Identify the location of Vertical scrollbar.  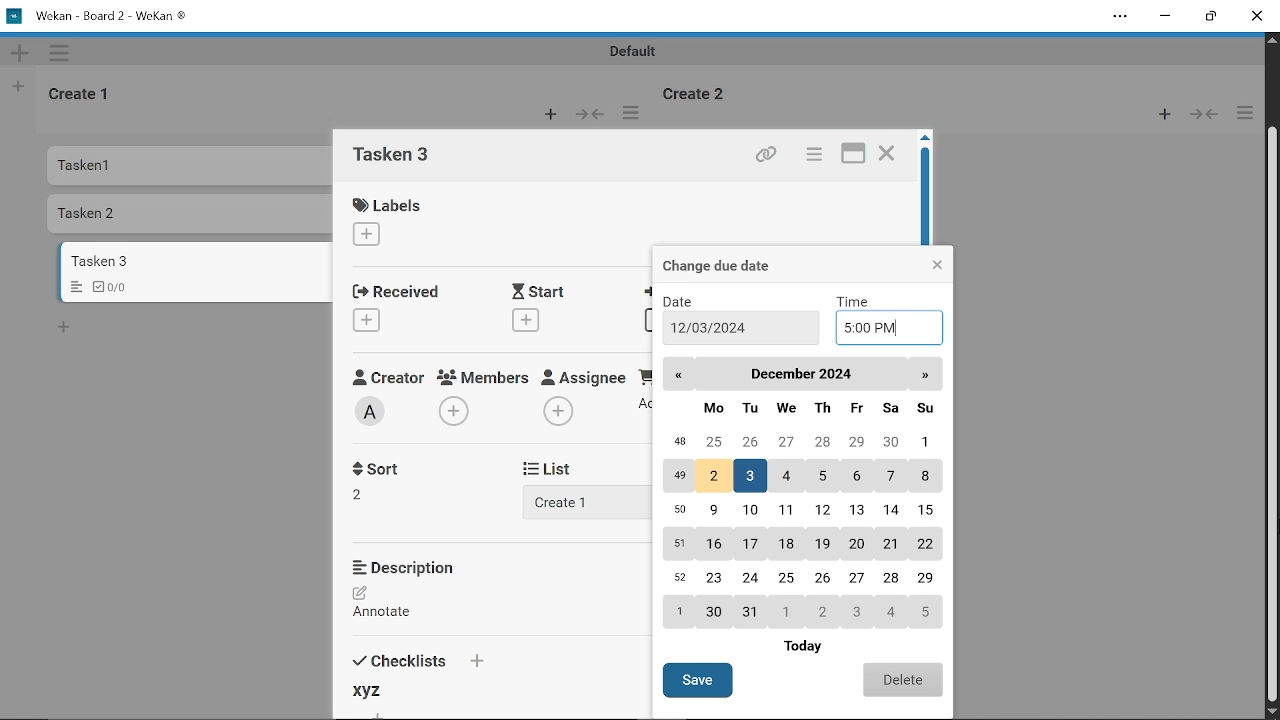
(1272, 415).